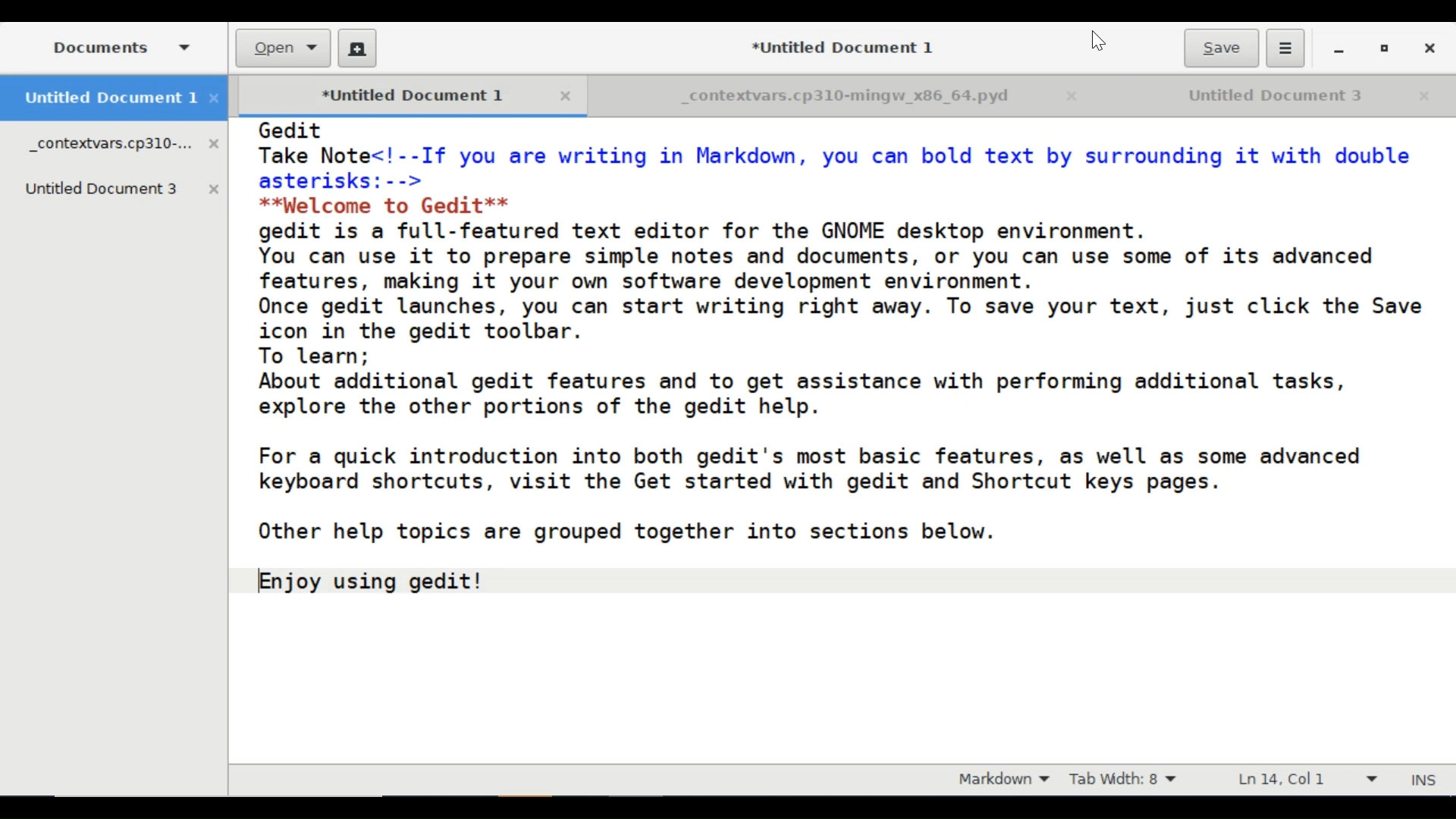 The image size is (1456, 819). What do you see at coordinates (1421, 780) in the screenshot?
I see `Insert` at bounding box center [1421, 780].